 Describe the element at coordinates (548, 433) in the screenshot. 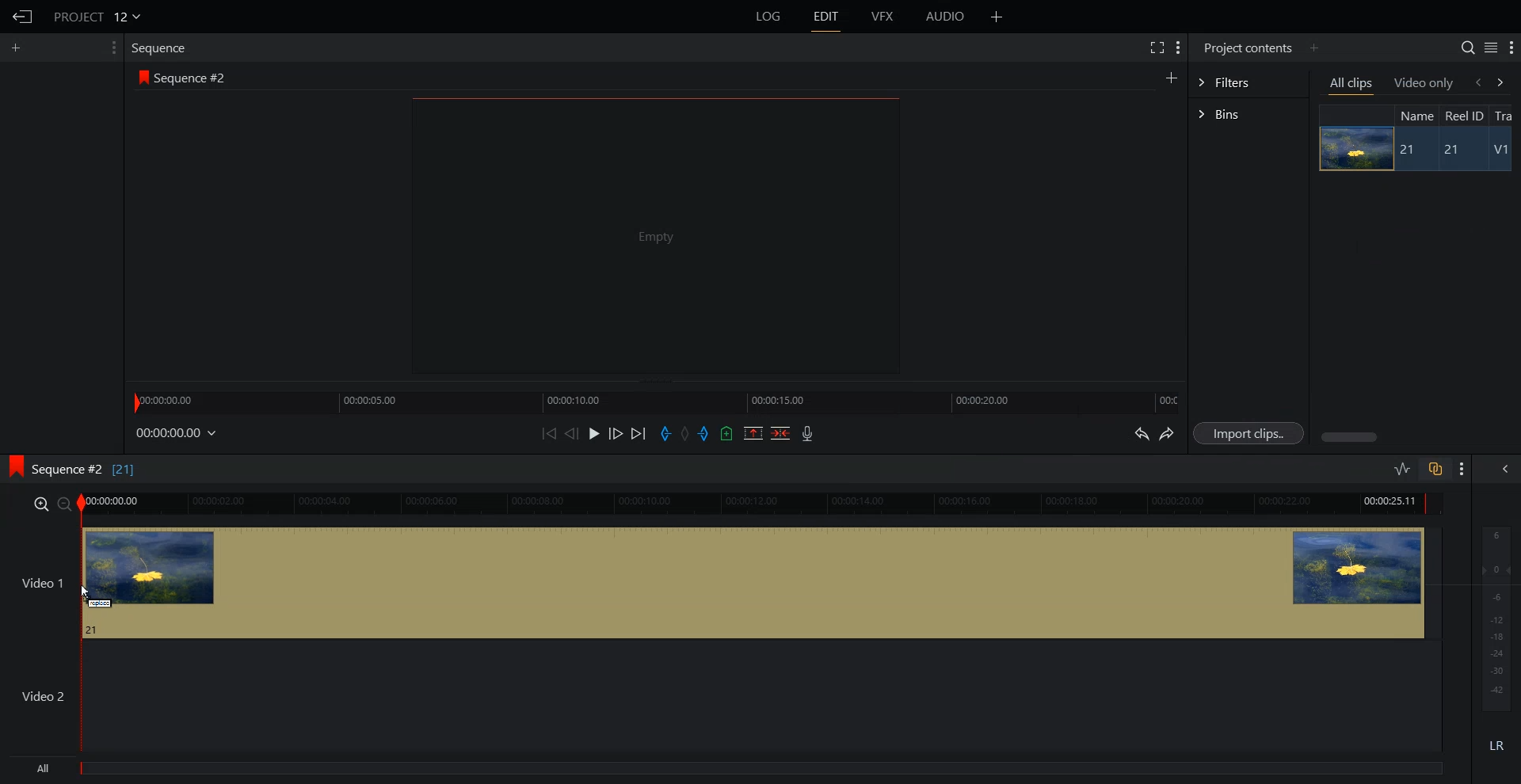

I see `Move Backward` at that location.